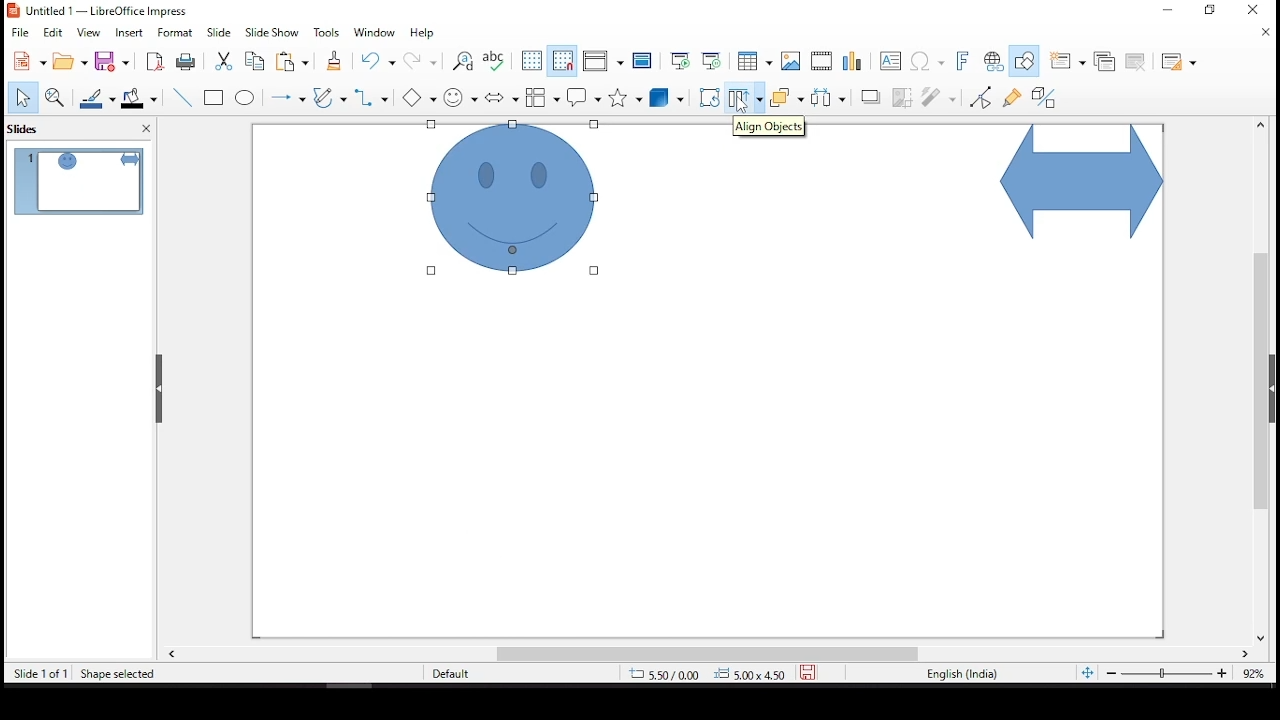 This screenshot has height=720, width=1280. What do you see at coordinates (55, 97) in the screenshot?
I see `zoom and pan` at bounding box center [55, 97].